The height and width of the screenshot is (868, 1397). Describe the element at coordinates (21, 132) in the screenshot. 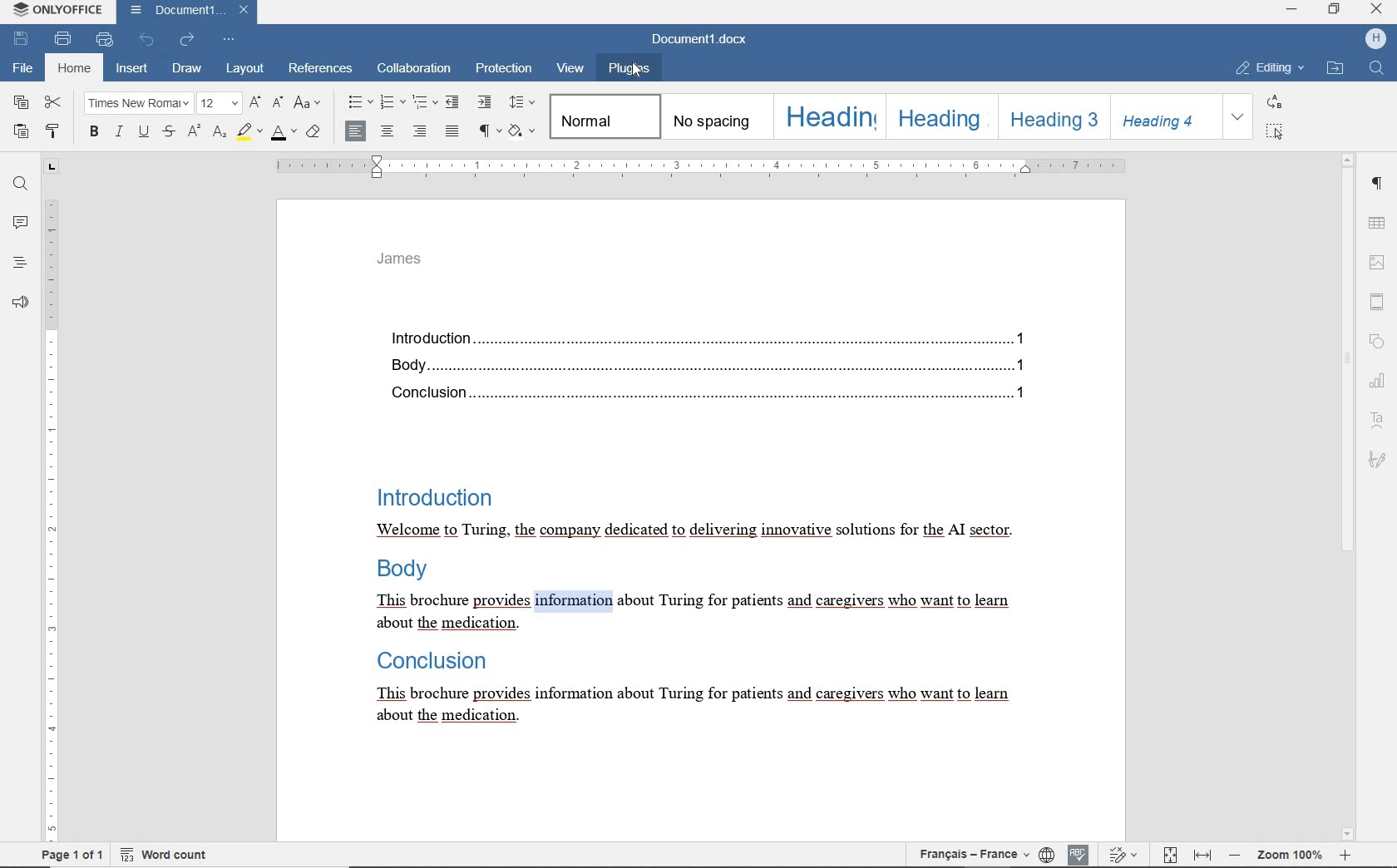

I see `PASTE` at that location.